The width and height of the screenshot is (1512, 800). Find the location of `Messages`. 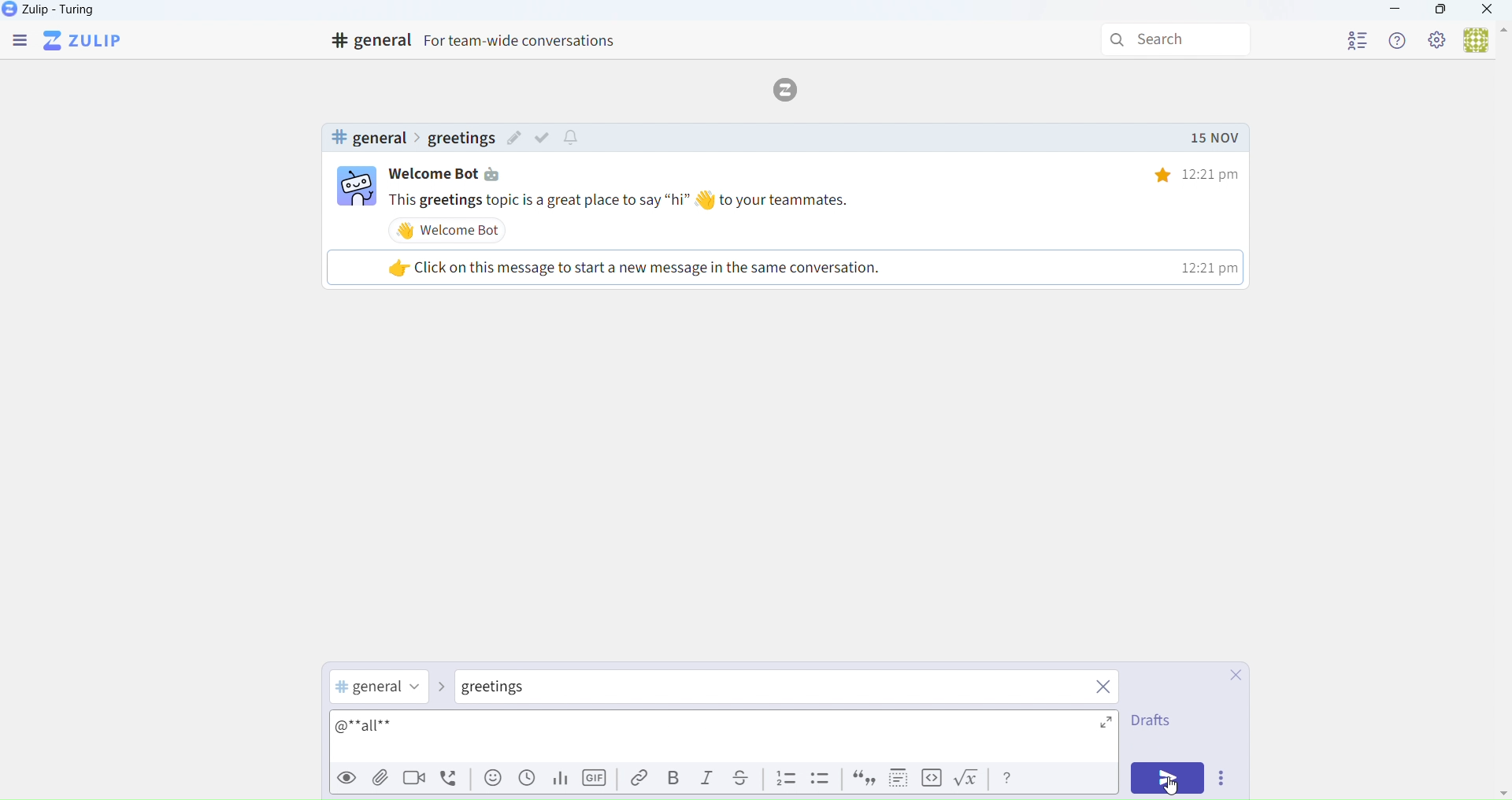

Messages is located at coordinates (818, 200).